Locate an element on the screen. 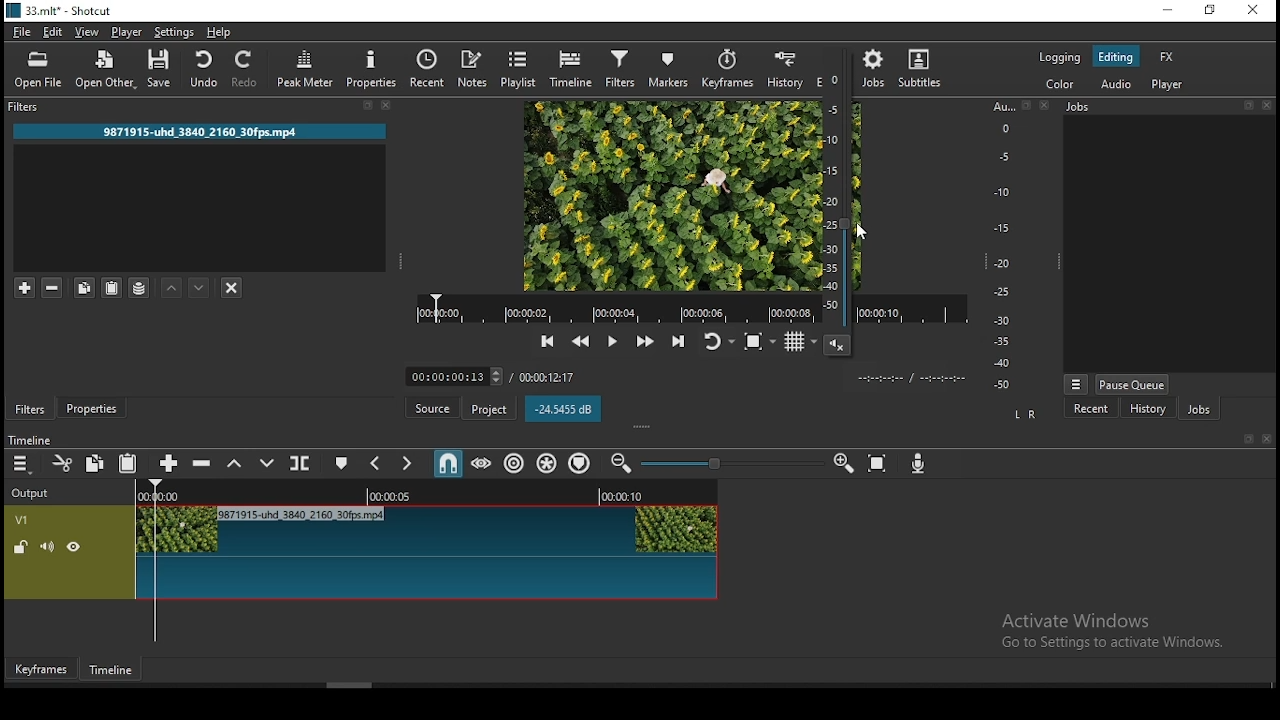 The image size is (1280, 720). cut is located at coordinates (64, 465).